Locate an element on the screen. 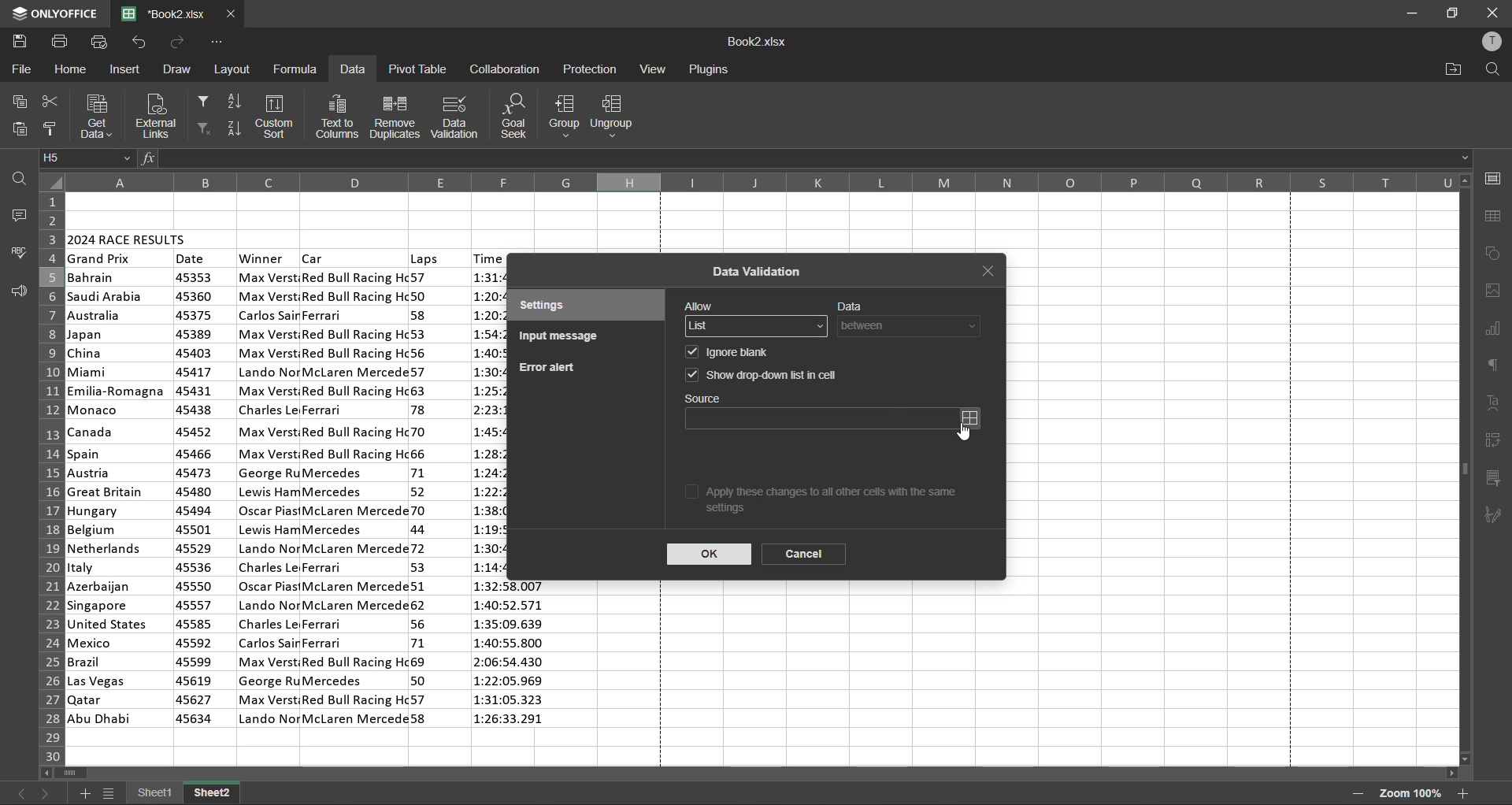 This screenshot has width=1512, height=805. copy style is located at coordinates (53, 129).